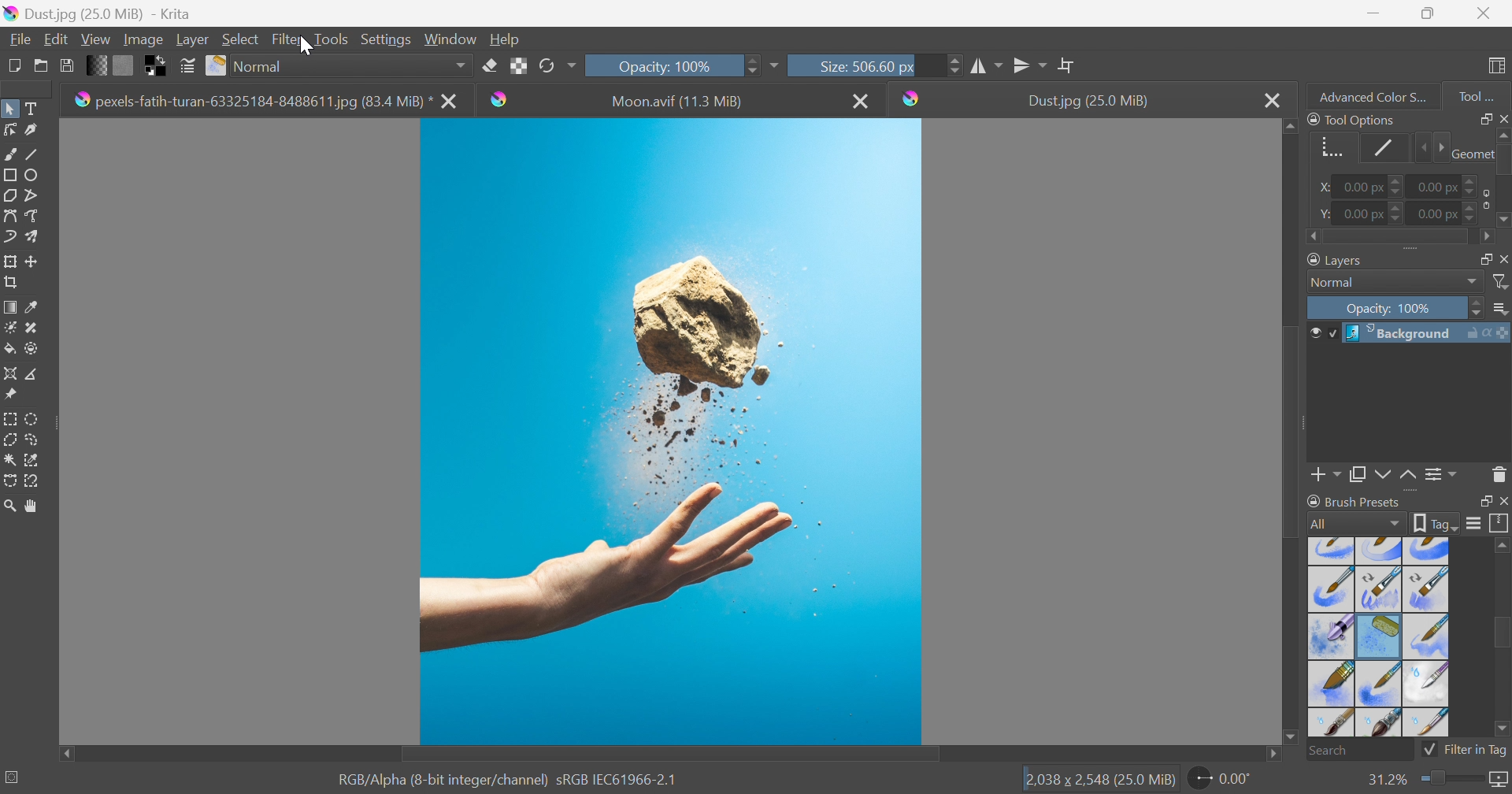  I want to click on Horizontal mirror tool, so click(1031, 63).